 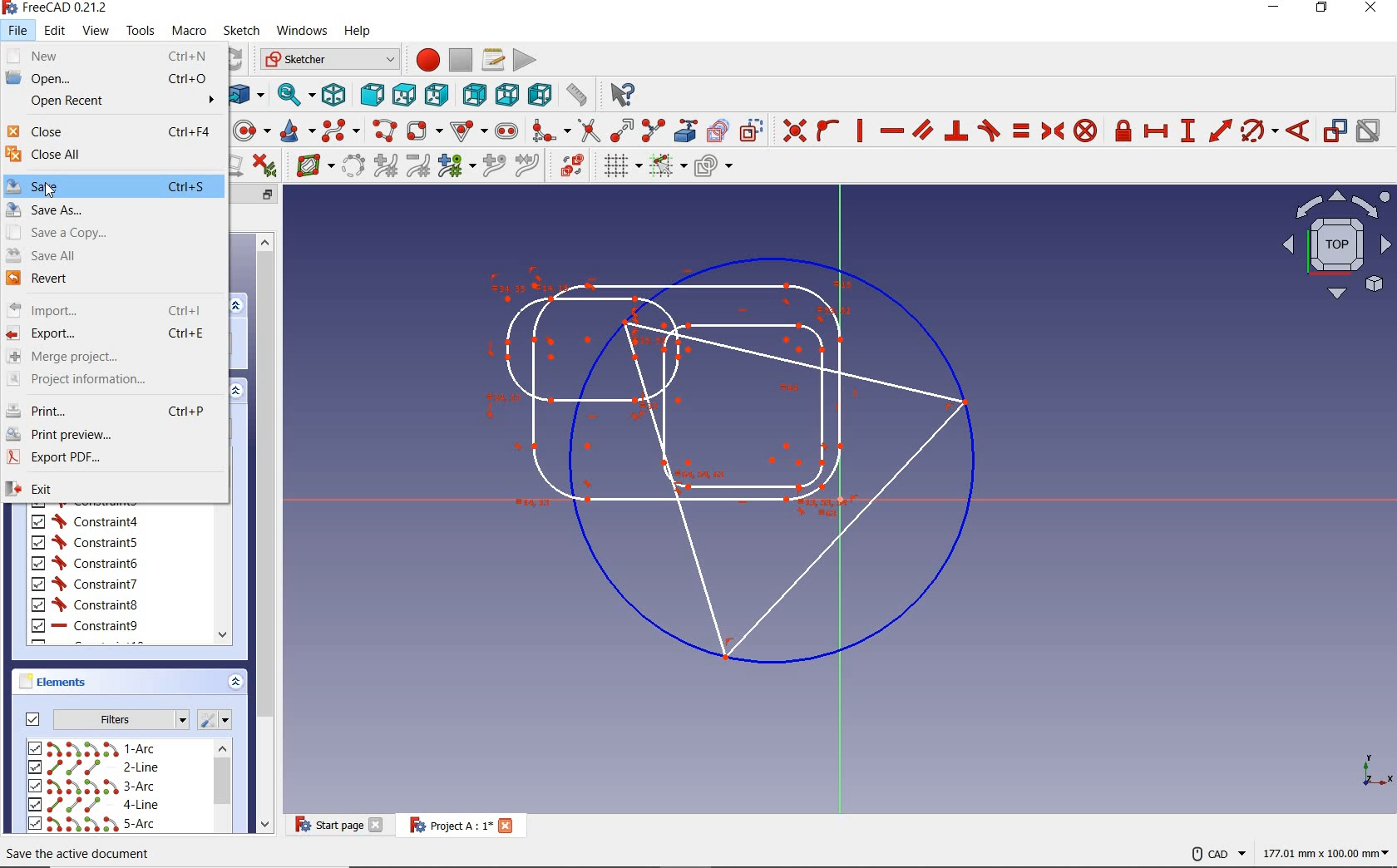 What do you see at coordinates (101, 718) in the screenshot?
I see `filters` at bounding box center [101, 718].